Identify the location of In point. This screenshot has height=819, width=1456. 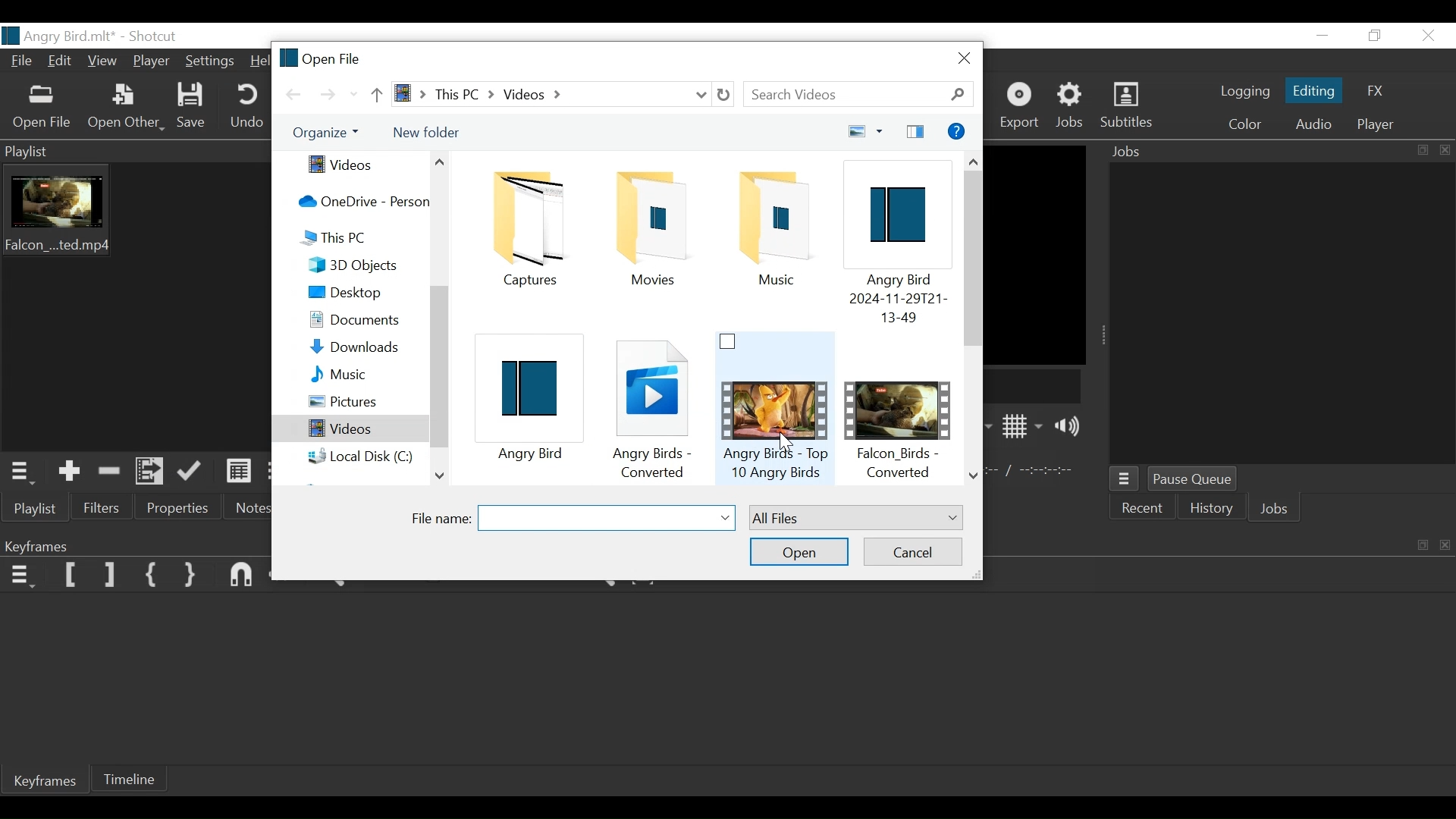
(1032, 472).